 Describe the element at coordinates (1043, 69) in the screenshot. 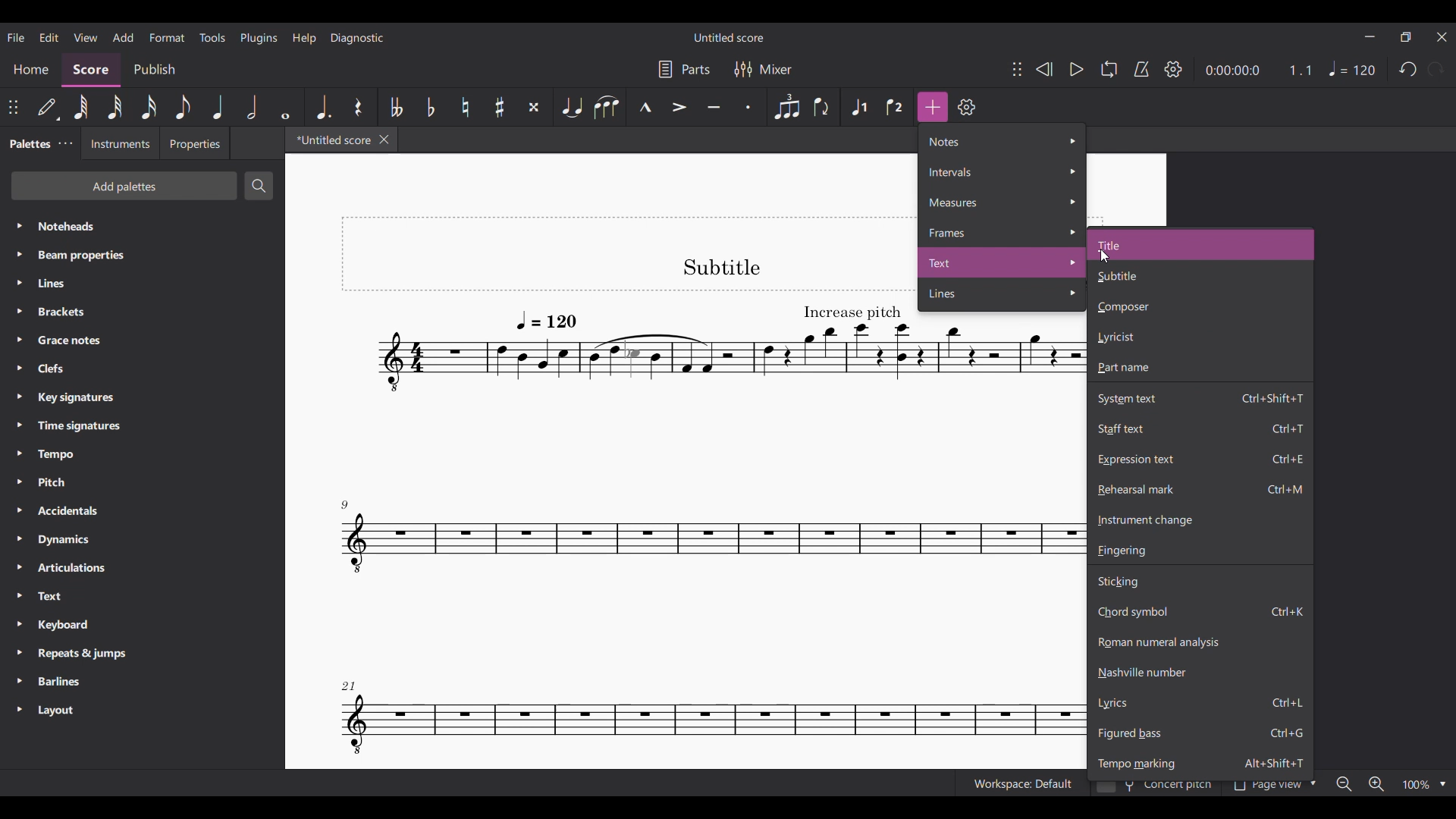

I see `Rewind` at that location.